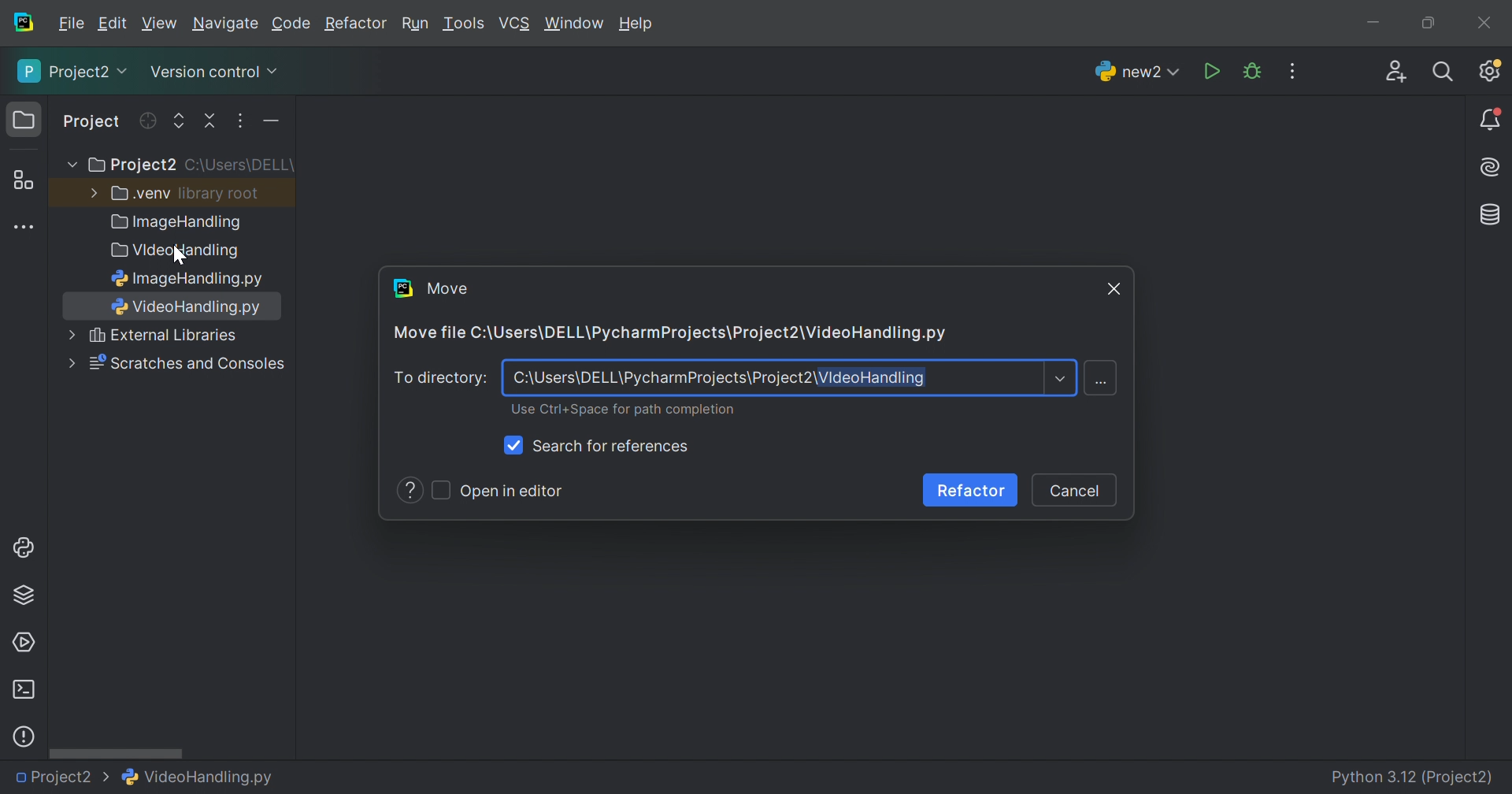  Describe the element at coordinates (667, 334) in the screenshot. I see `Move file C:\Users\DELL\PyCharmProjects\Project2\VideoHandling.py` at that location.